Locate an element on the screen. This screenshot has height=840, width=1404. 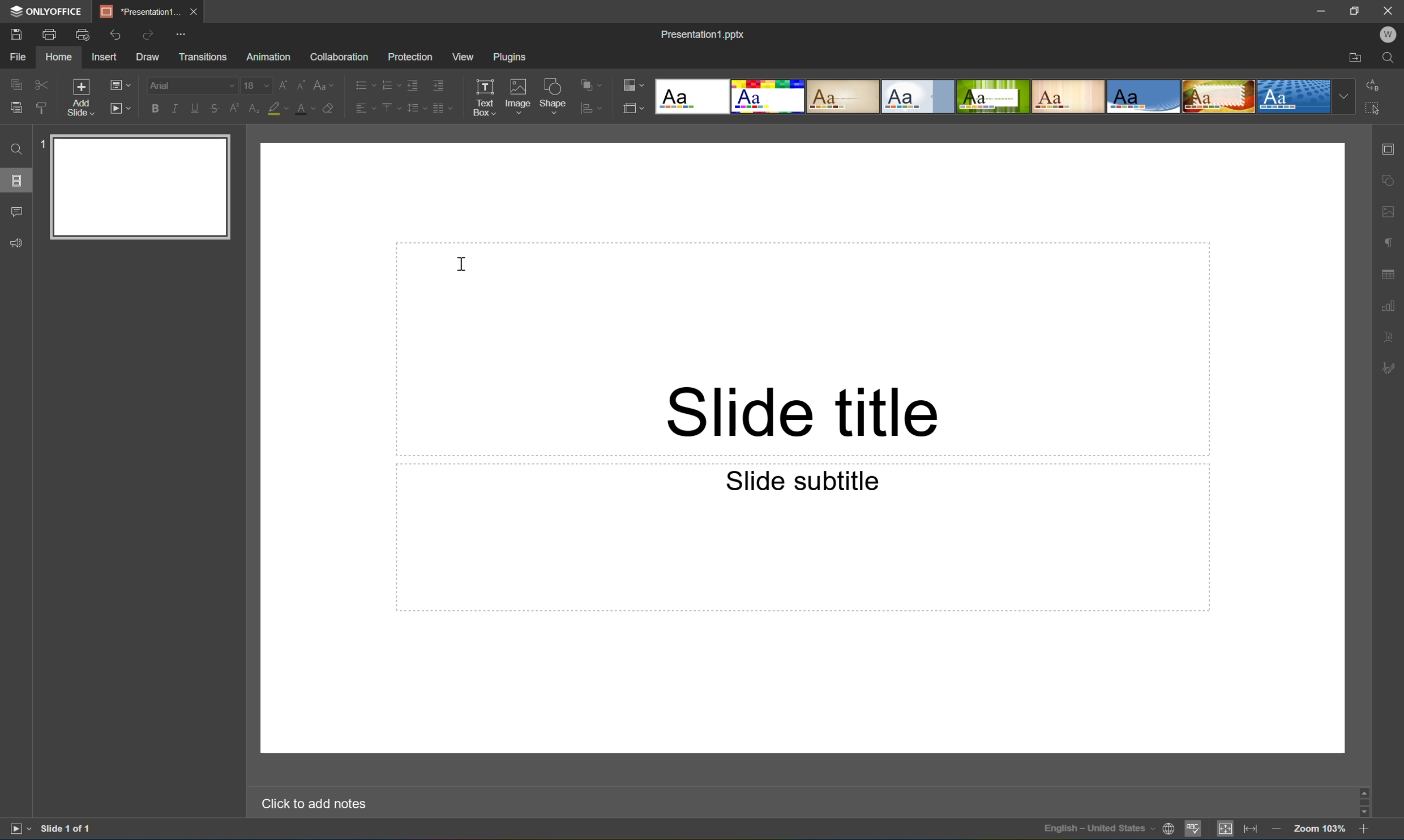
Click to add notes is located at coordinates (312, 804).